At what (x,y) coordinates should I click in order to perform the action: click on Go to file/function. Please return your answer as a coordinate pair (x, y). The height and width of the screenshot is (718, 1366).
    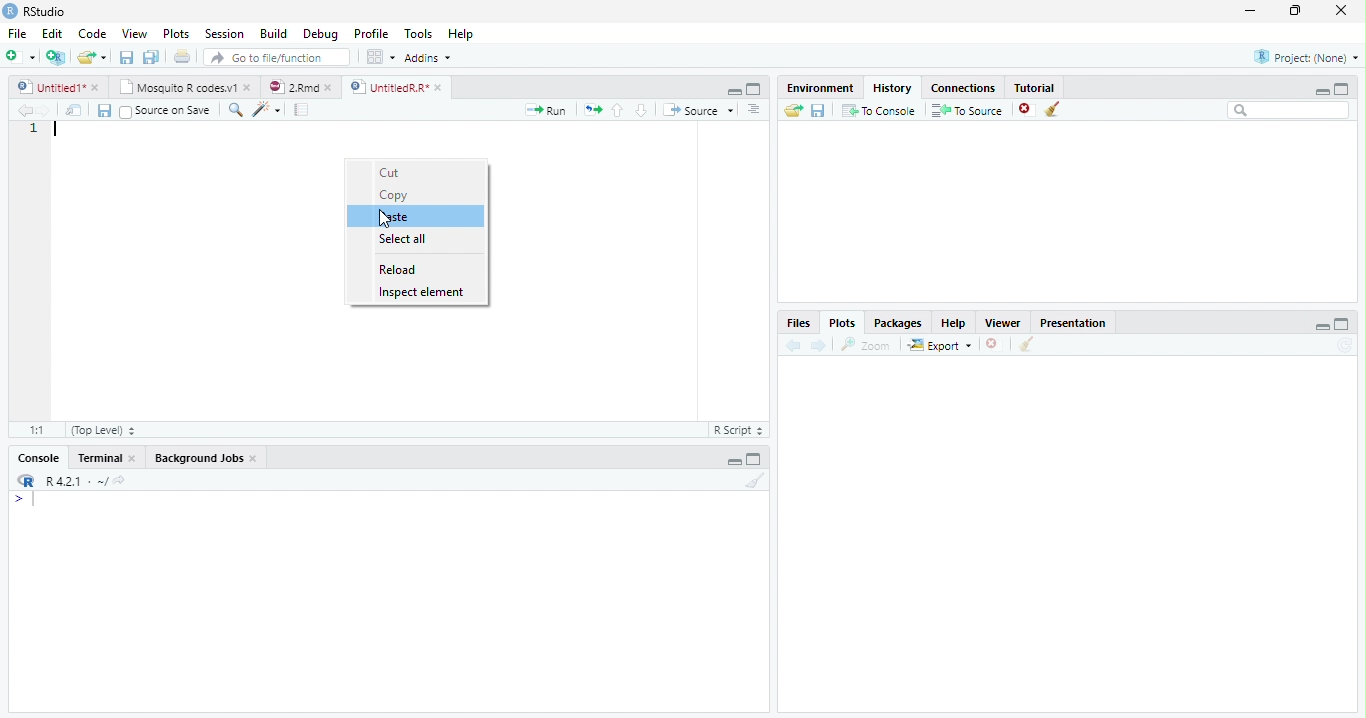
    Looking at the image, I should click on (277, 57).